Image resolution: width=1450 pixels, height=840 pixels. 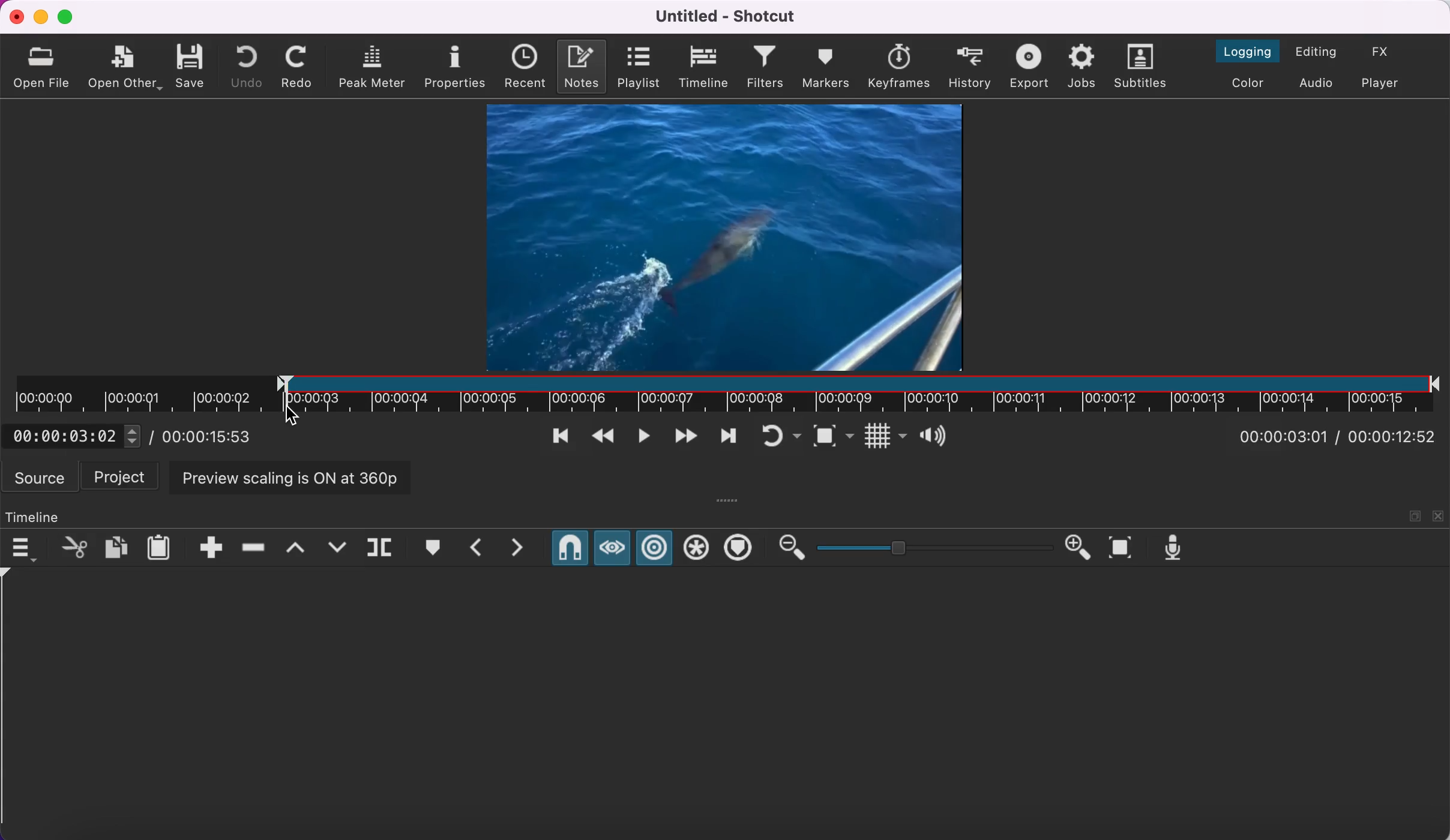 I want to click on clip, so click(x=723, y=238).